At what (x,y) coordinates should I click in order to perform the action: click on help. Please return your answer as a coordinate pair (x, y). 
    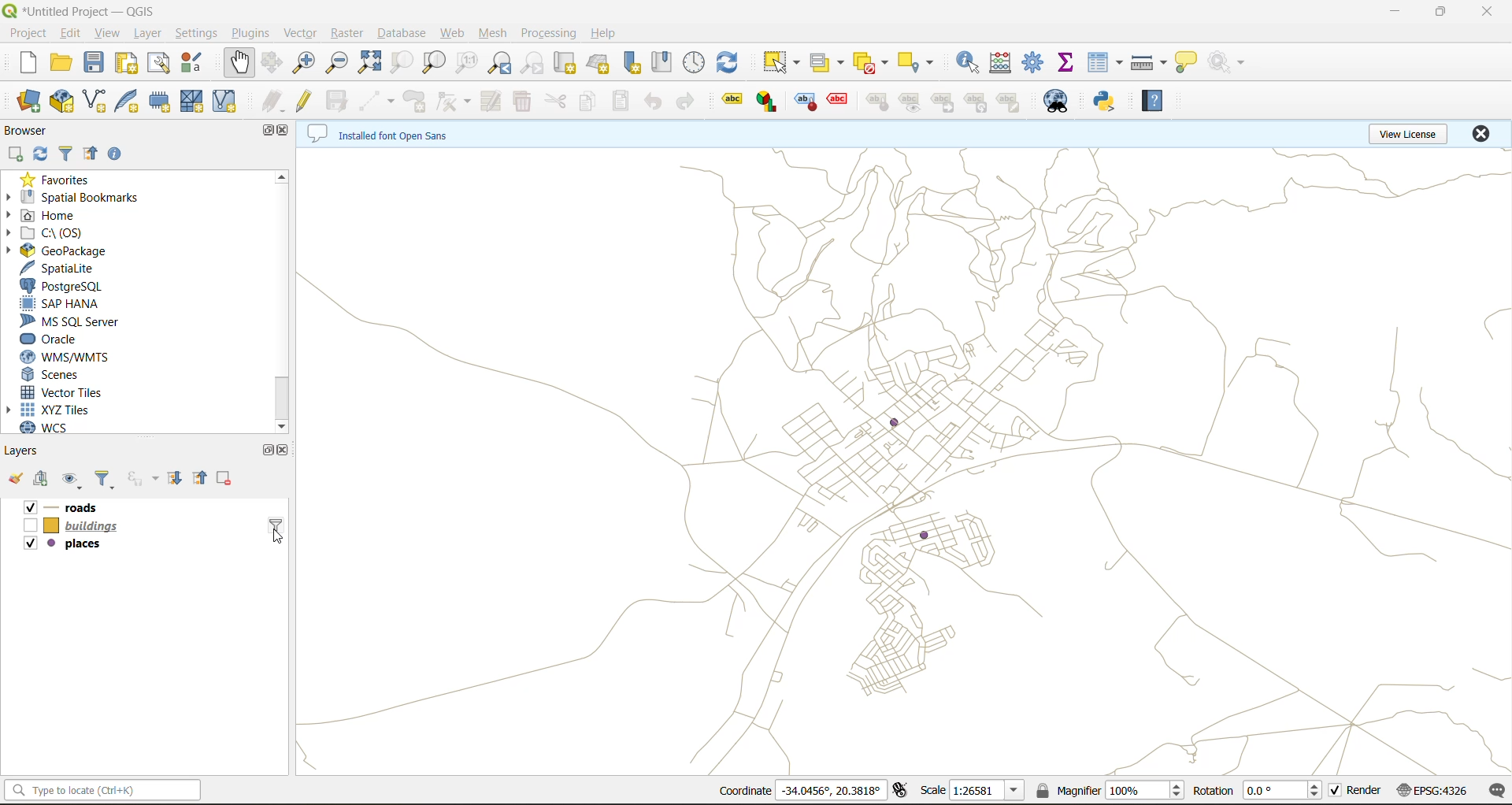
    Looking at the image, I should click on (606, 35).